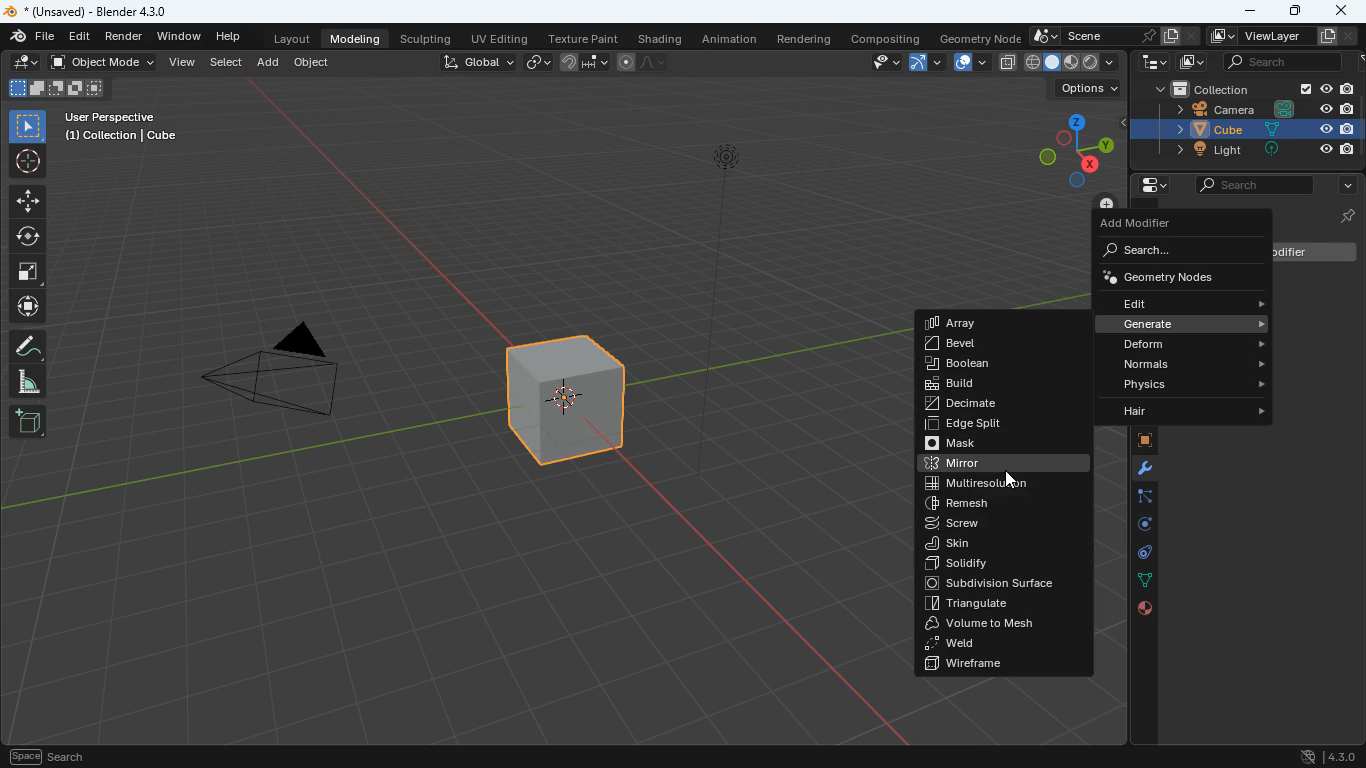  I want to click on aim, so click(29, 162).